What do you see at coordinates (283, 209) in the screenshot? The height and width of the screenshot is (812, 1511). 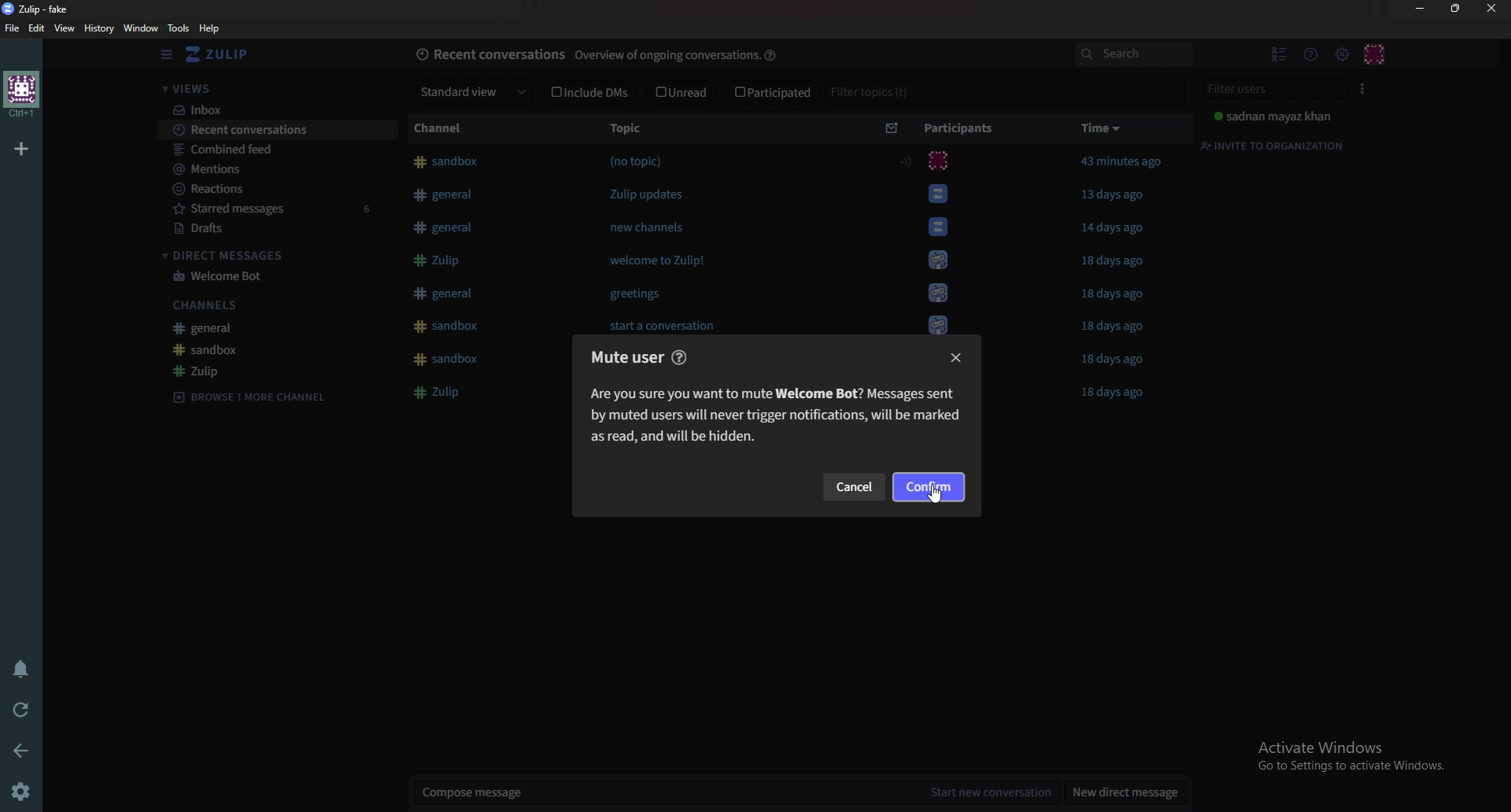 I see `Starred messages` at bounding box center [283, 209].